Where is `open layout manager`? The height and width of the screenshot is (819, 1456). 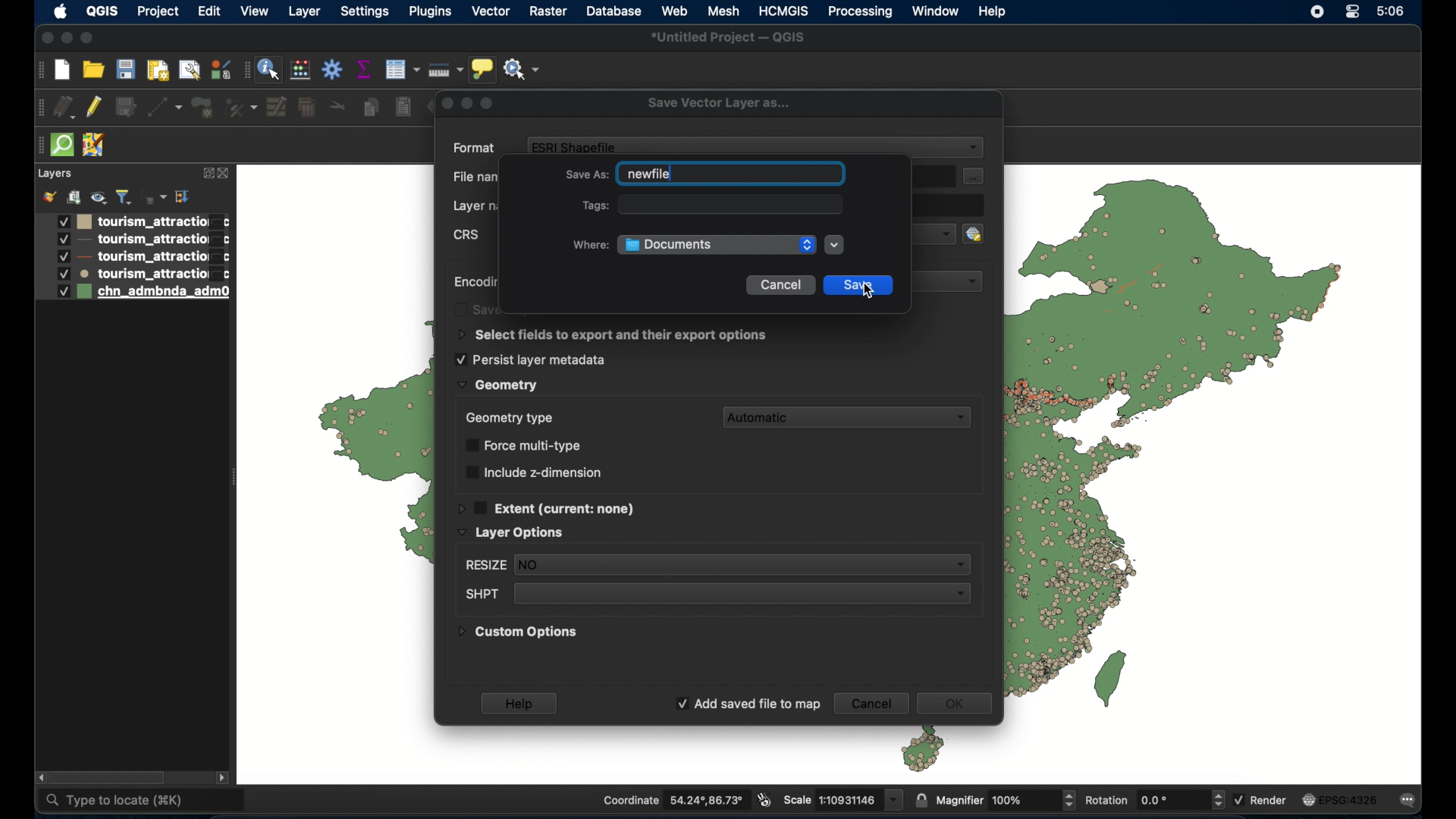 open layout manager is located at coordinates (190, 70).